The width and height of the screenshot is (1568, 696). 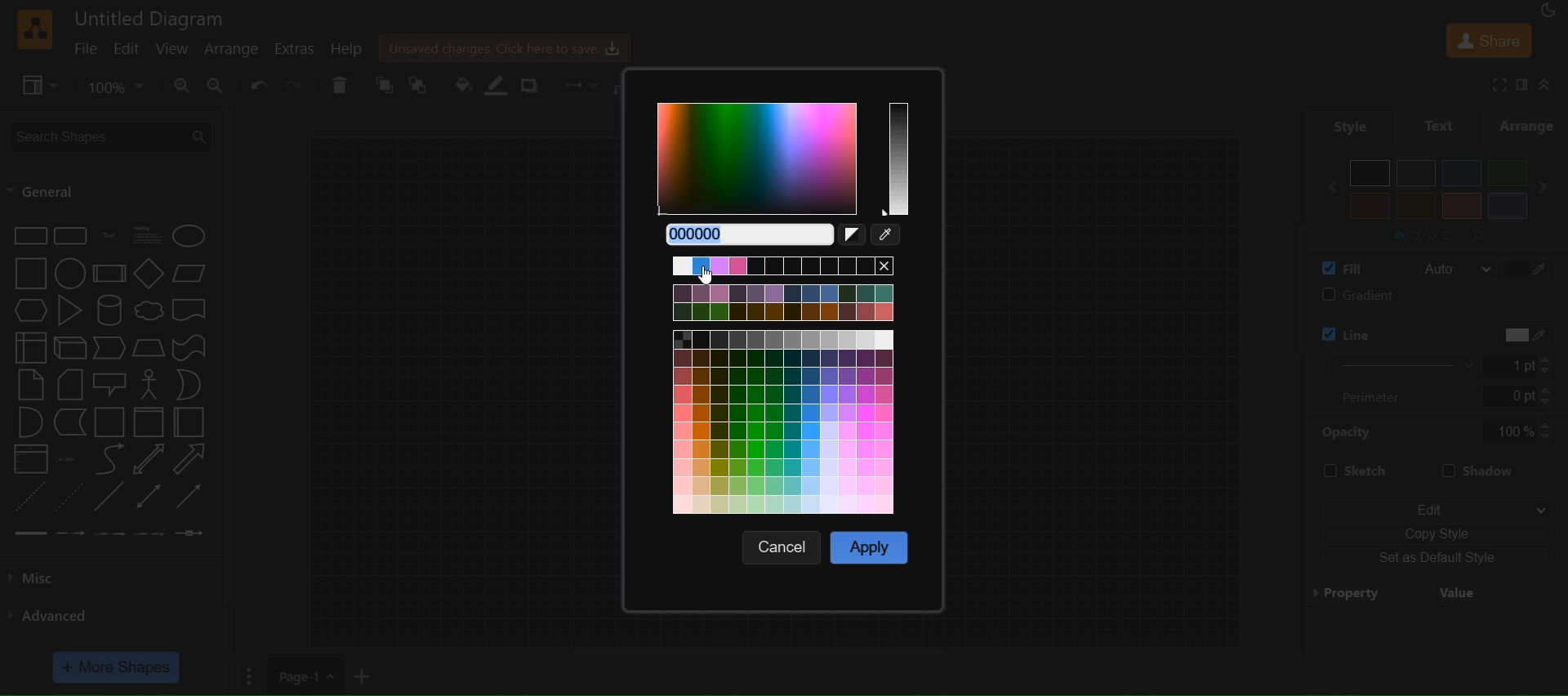 I want to click on connection, so click(x=576, y=82).